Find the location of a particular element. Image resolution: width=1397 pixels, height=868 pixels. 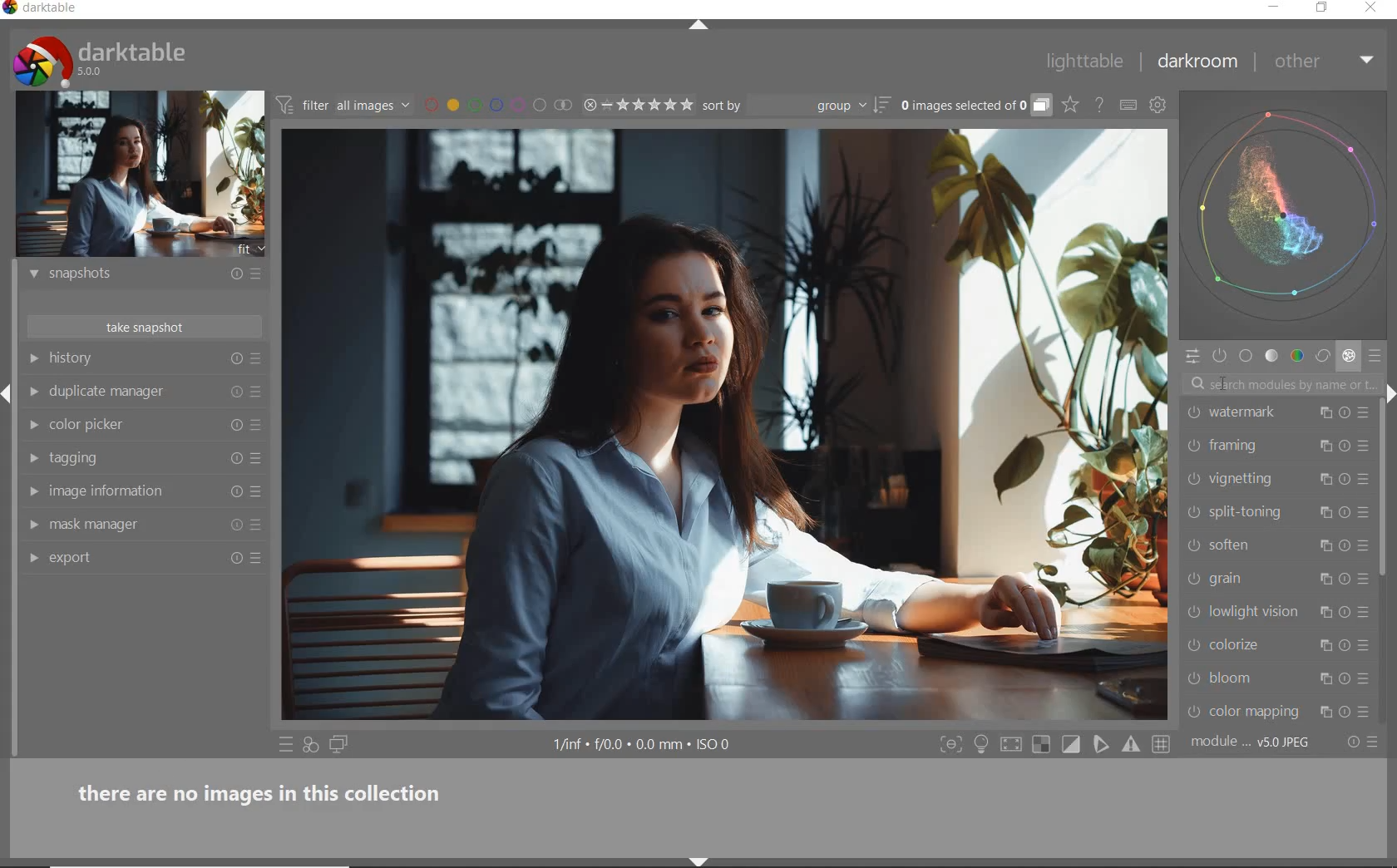

preset and preferences is located at coordinates (260, 426).